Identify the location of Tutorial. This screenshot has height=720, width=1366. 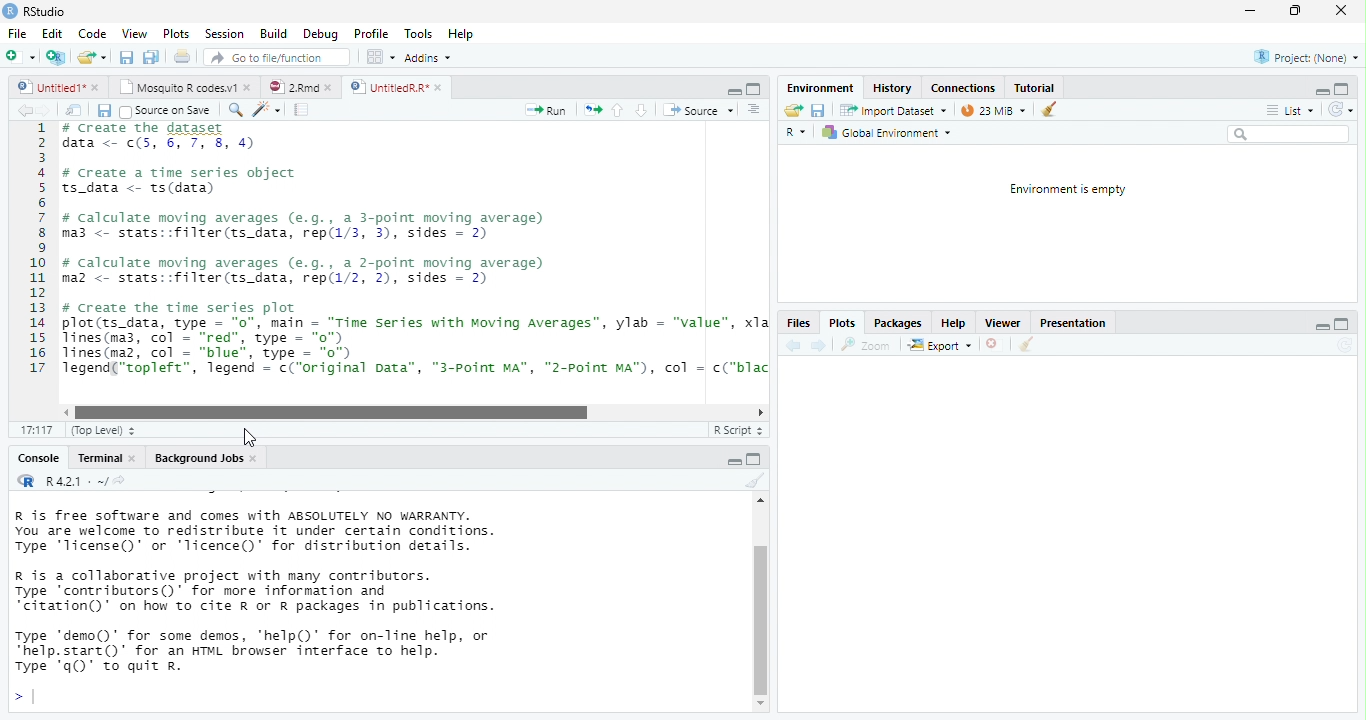
(1035, 87).